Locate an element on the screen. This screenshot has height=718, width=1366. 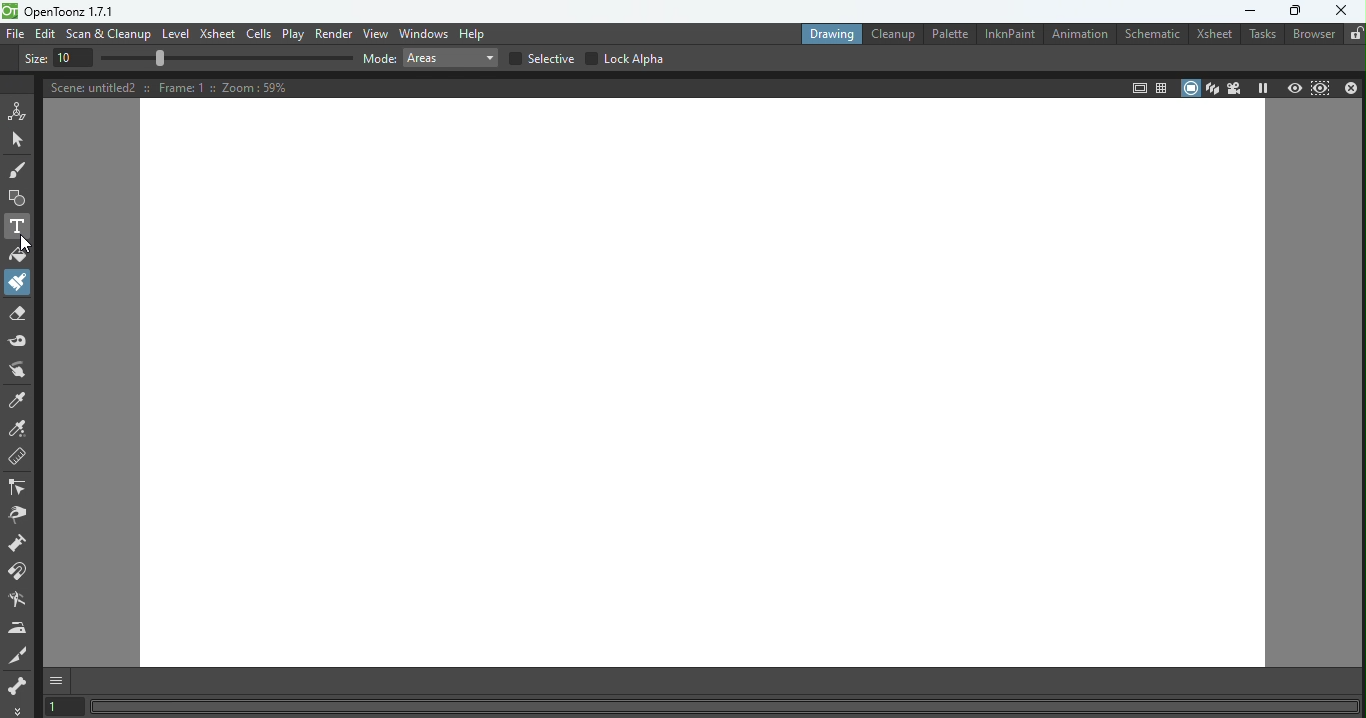
Camera stand view is located at coordinates (1187, 87).